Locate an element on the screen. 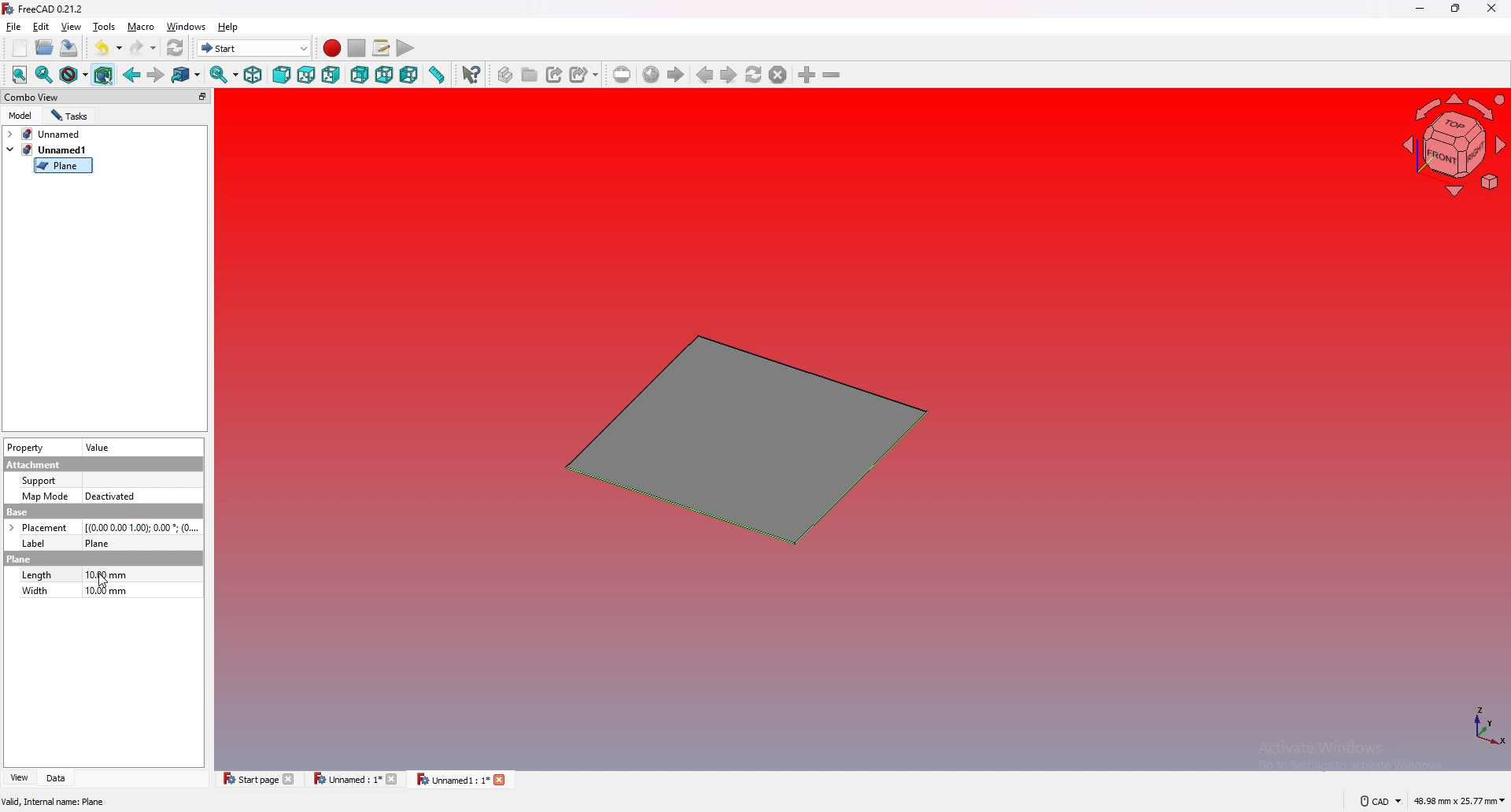 This screenshot has height=812, width=1511. file is located at coordinates (14, 27).